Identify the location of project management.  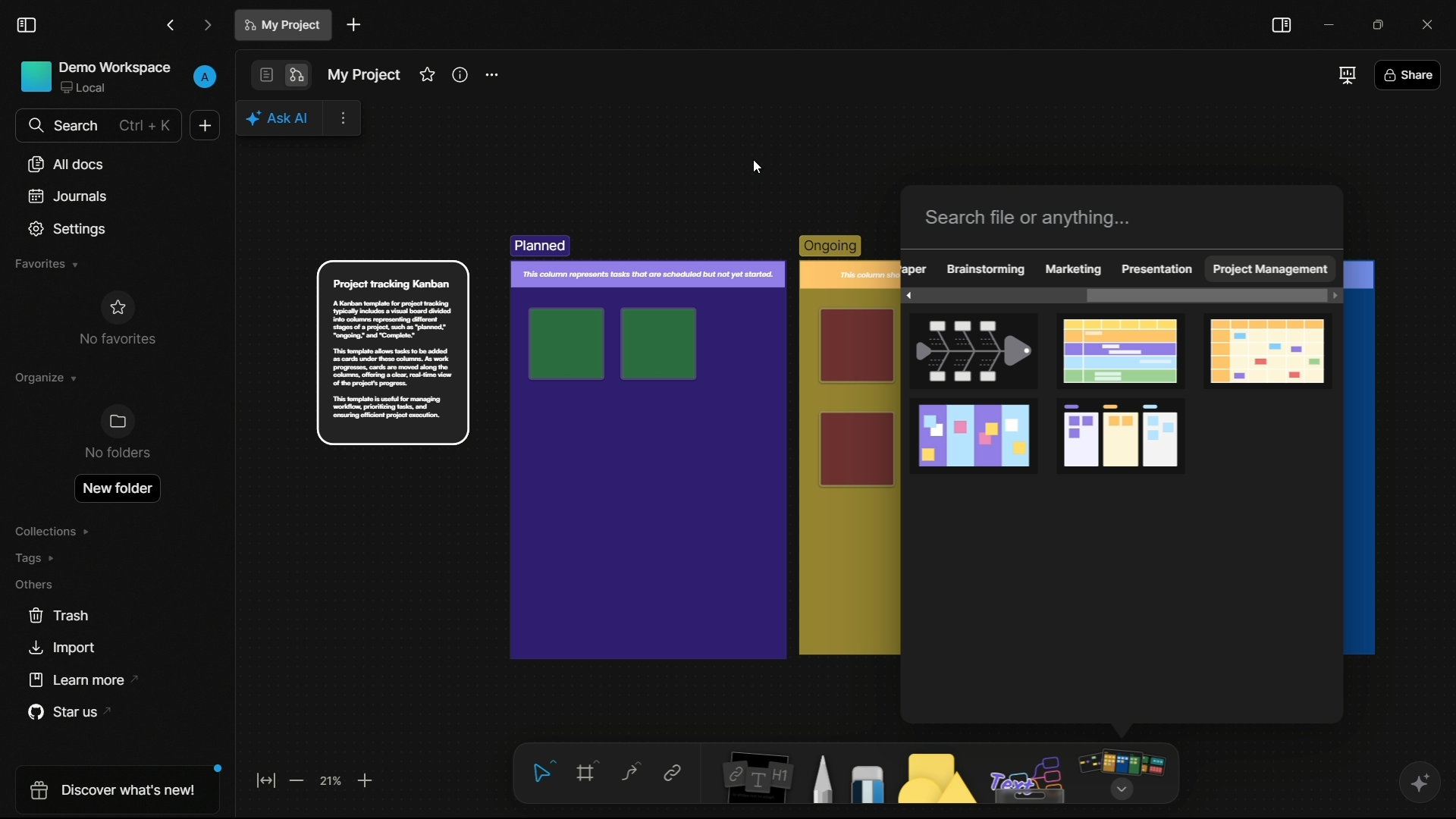
(1271, 270).